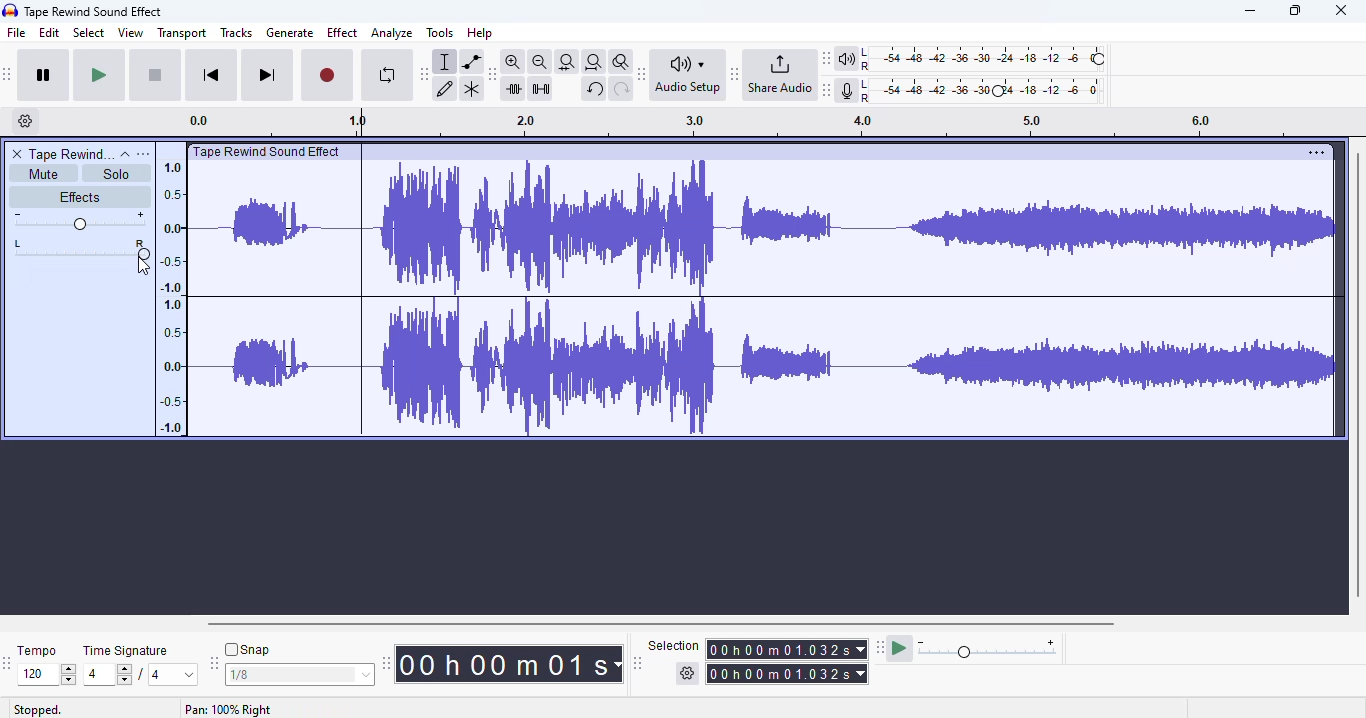  I want to click on audio selected, so click(766, 300).